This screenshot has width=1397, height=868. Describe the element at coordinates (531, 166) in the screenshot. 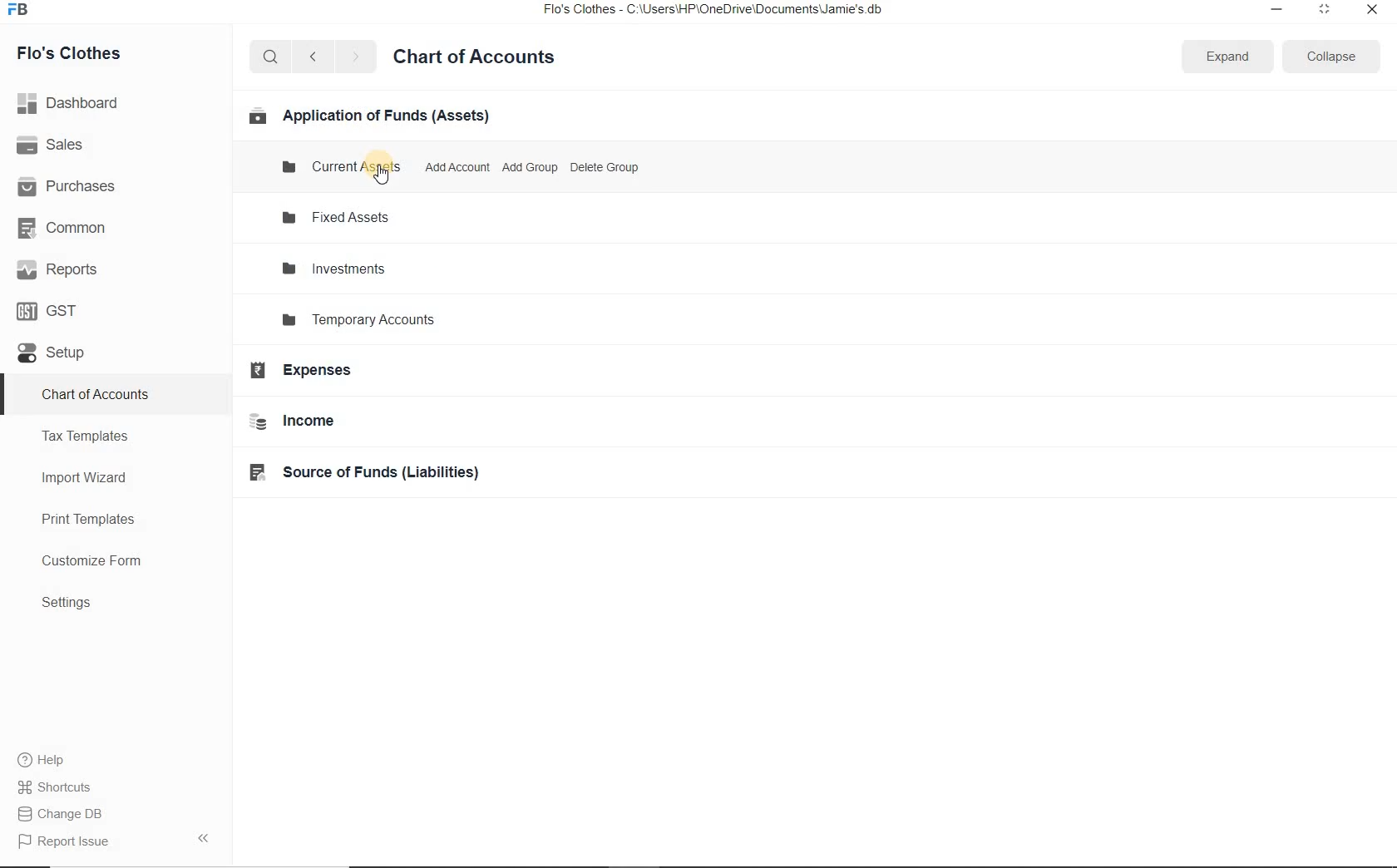

I see `Add Group` at that location.